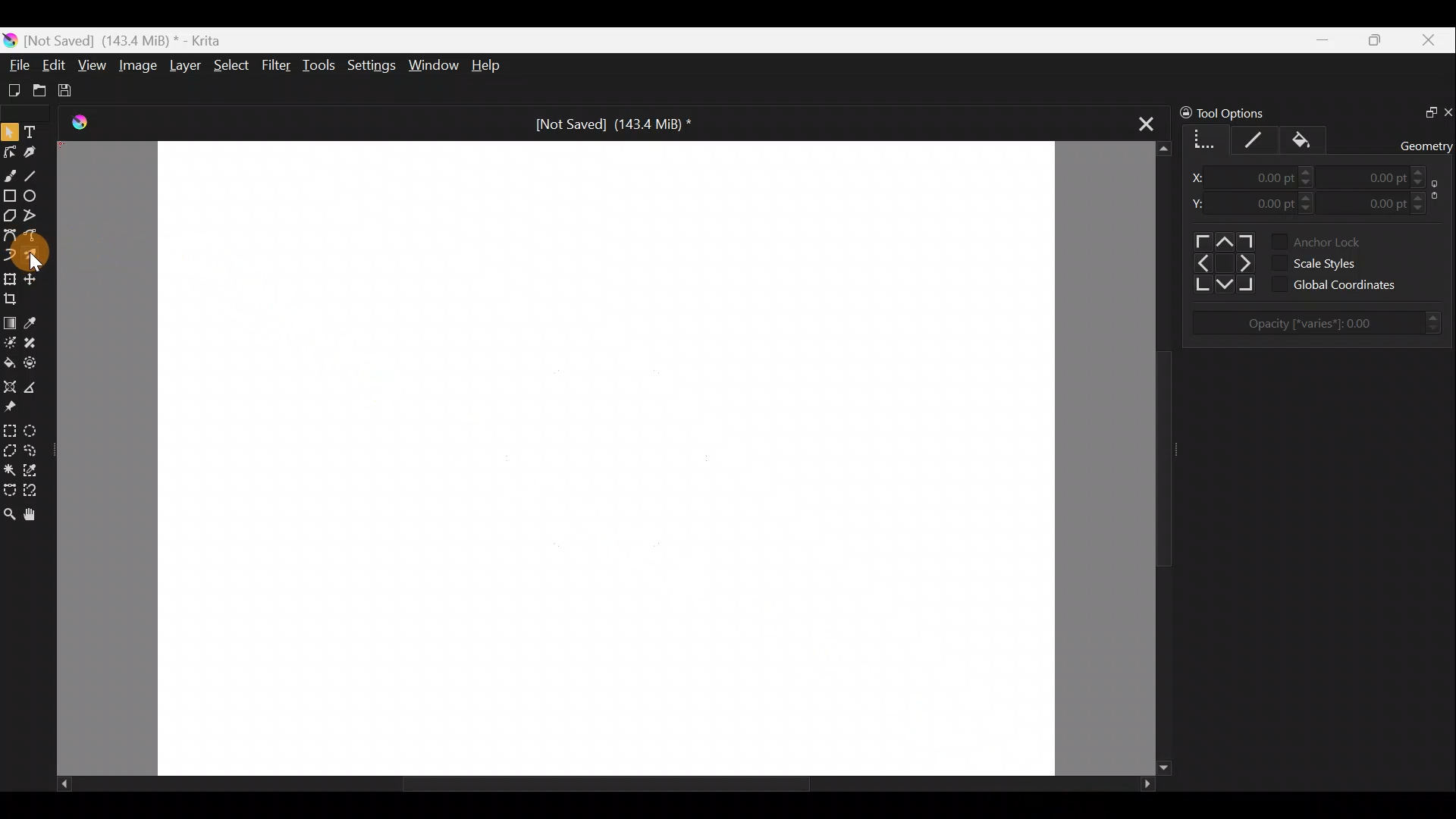 The height and width of the screenshot is (819, 1456). What do you see at coordinates (1147, 119) in the screenshot?
I see `Close tab` at bounding box center [1147, 119].